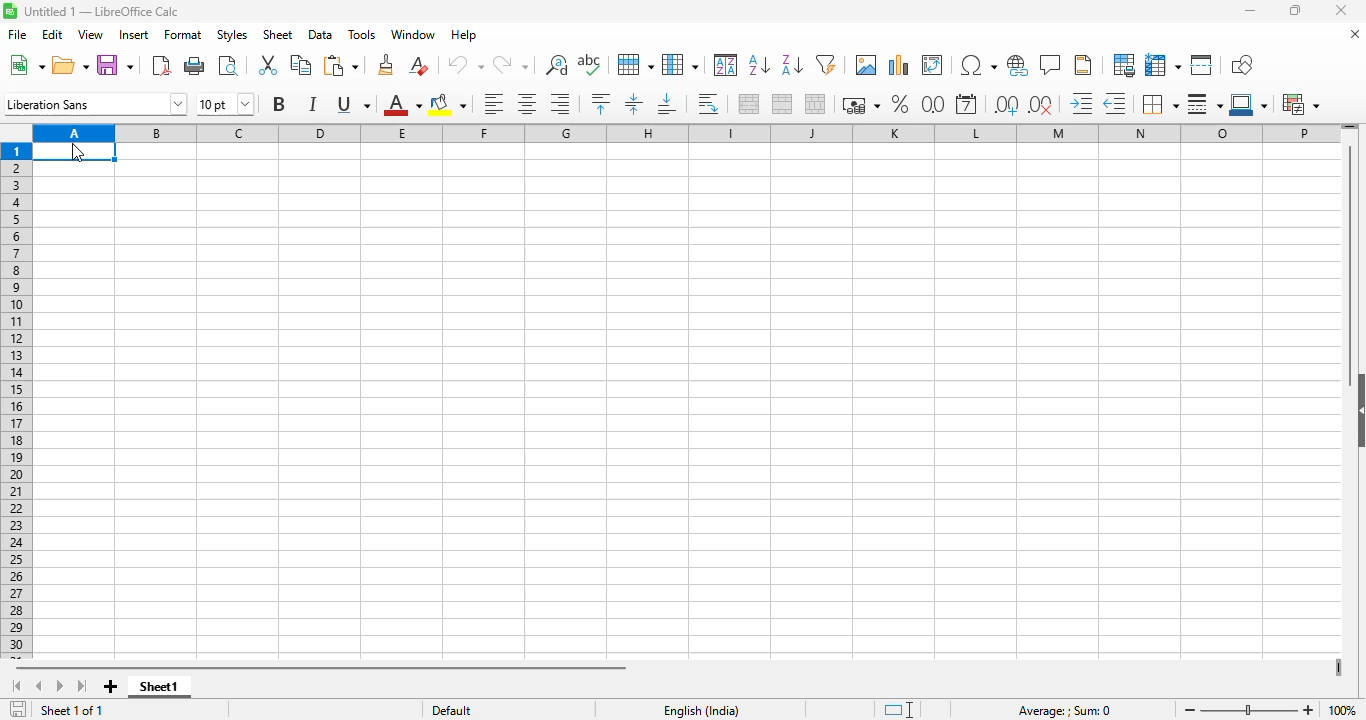 This screenshot has width=1366, height=720. What do you see at coordinates (1191, 710) in the screenshot?
I see `zoom out` at bounding box center [1191, 710].